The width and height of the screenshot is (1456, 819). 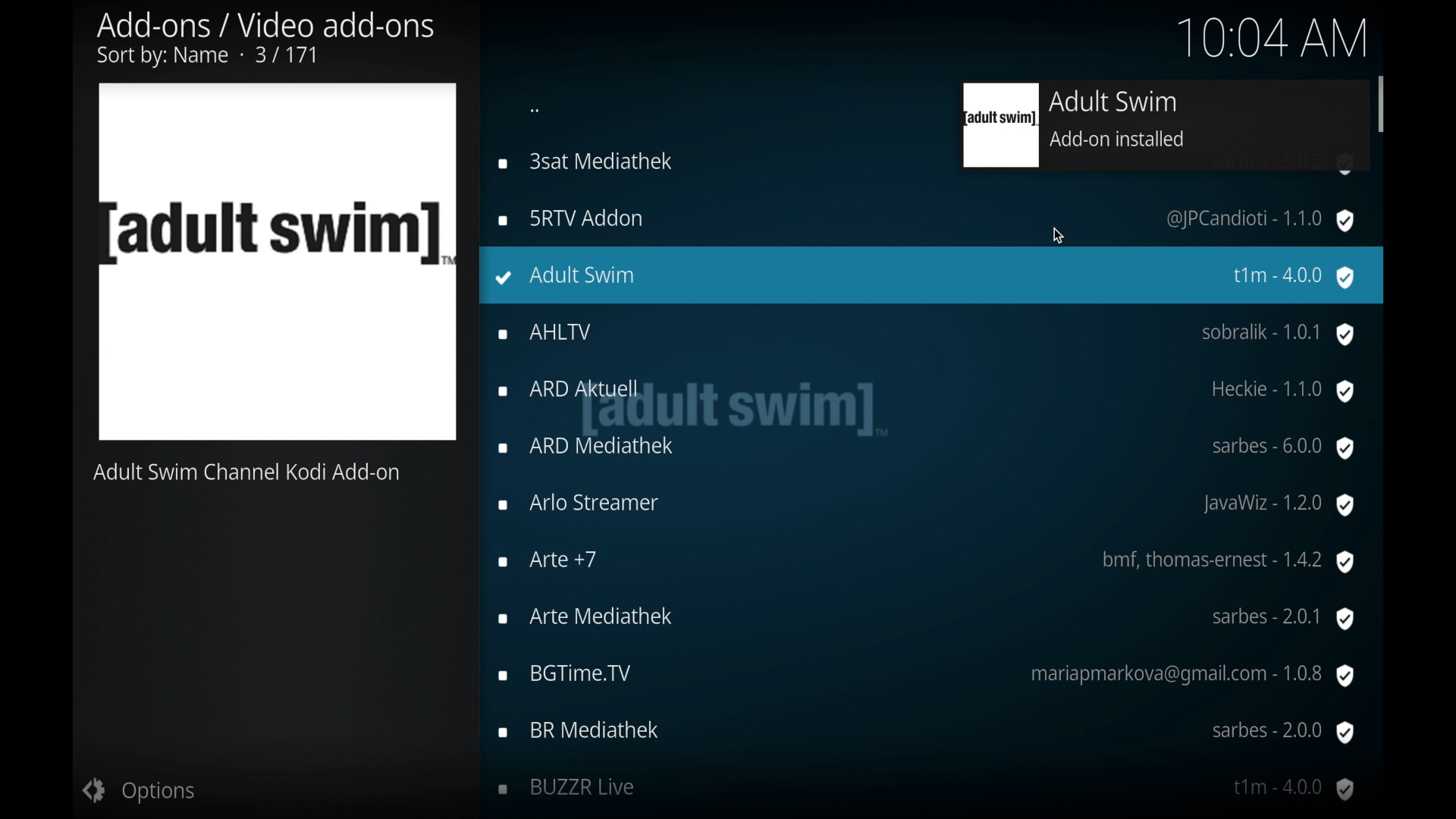 I want to click on ard, so click(x=928, y=450).